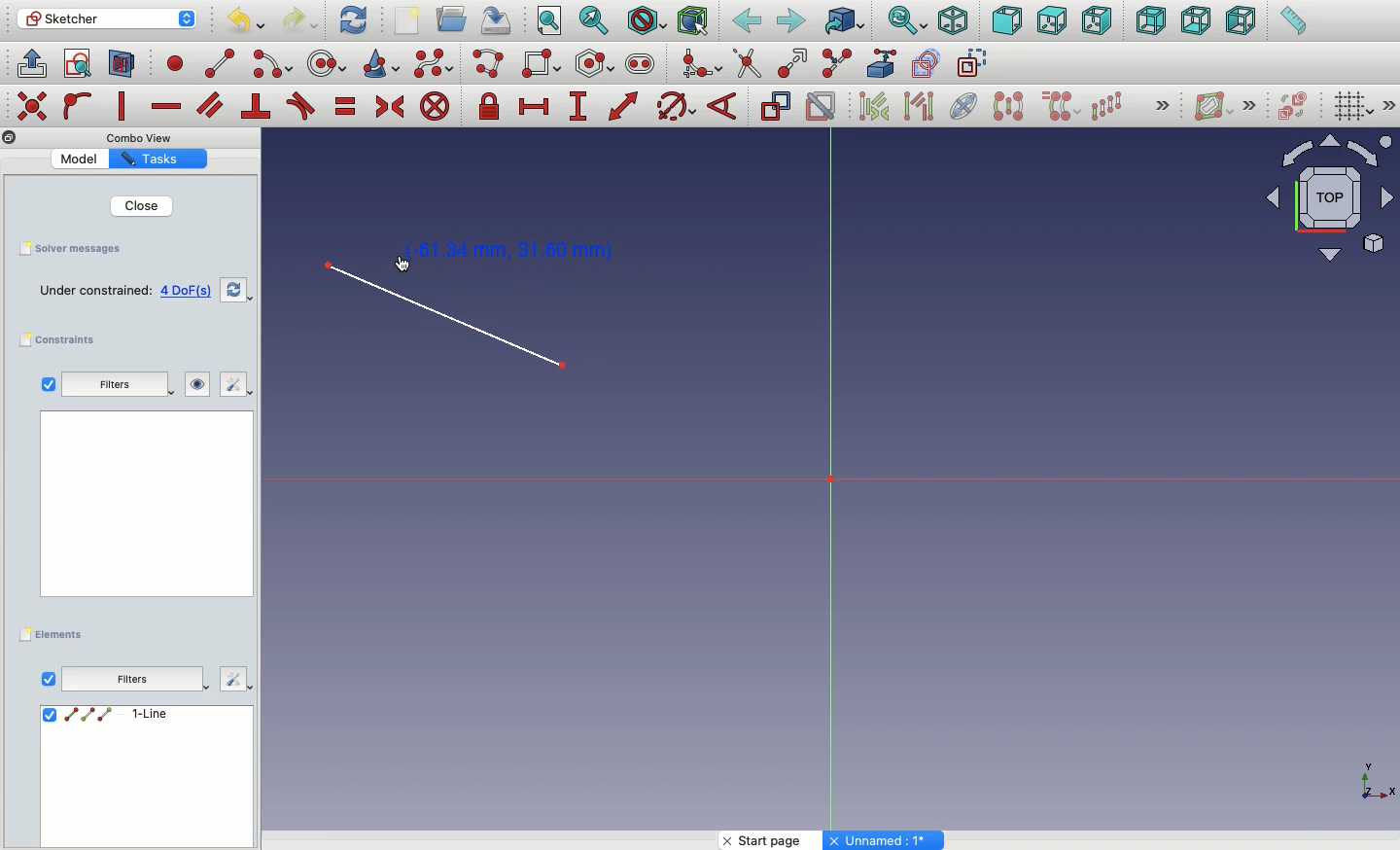  I want to click on Switch virtual place, so click(1294, 106).